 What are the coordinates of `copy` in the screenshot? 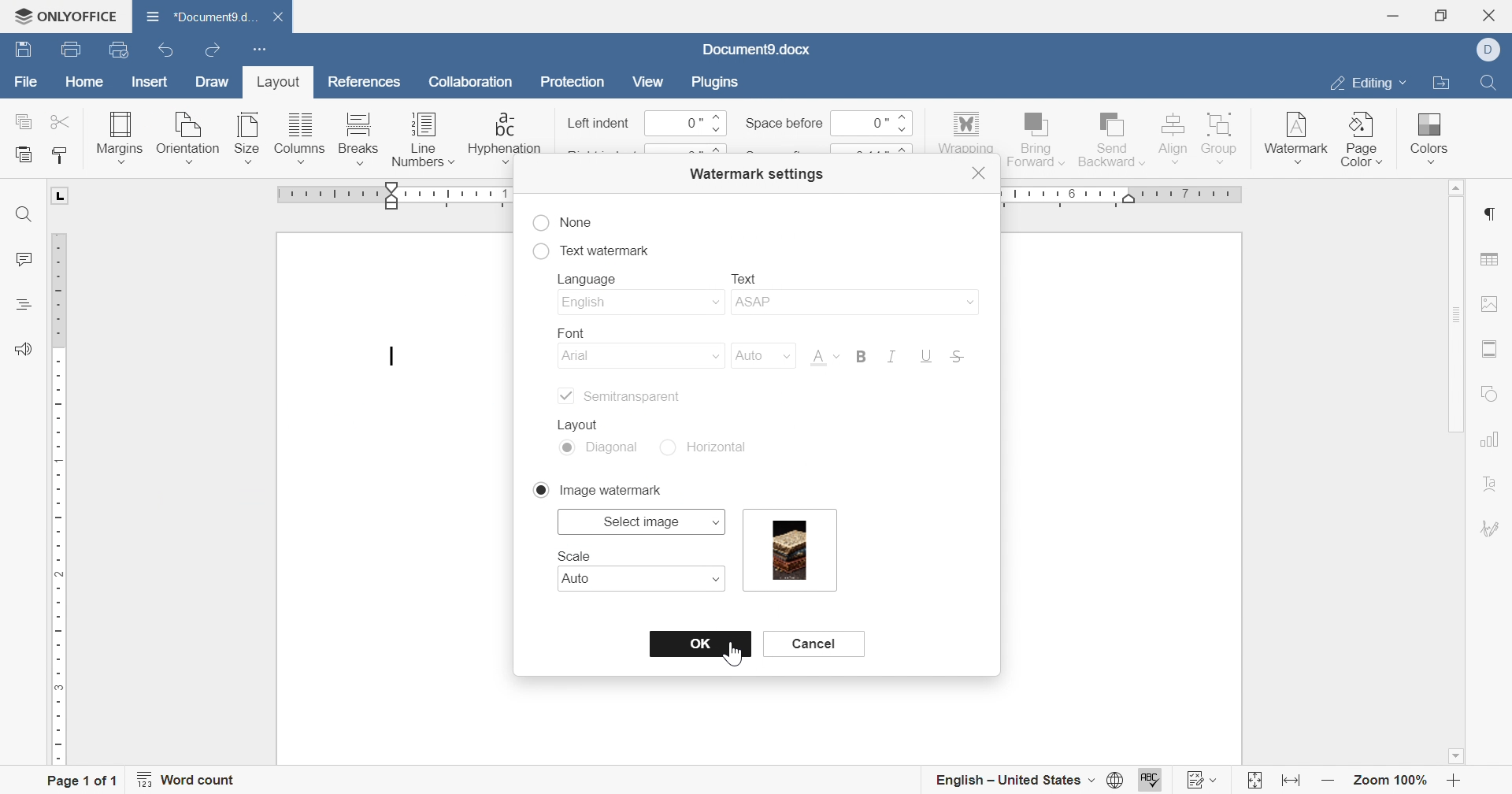 It's located at (24, 121).